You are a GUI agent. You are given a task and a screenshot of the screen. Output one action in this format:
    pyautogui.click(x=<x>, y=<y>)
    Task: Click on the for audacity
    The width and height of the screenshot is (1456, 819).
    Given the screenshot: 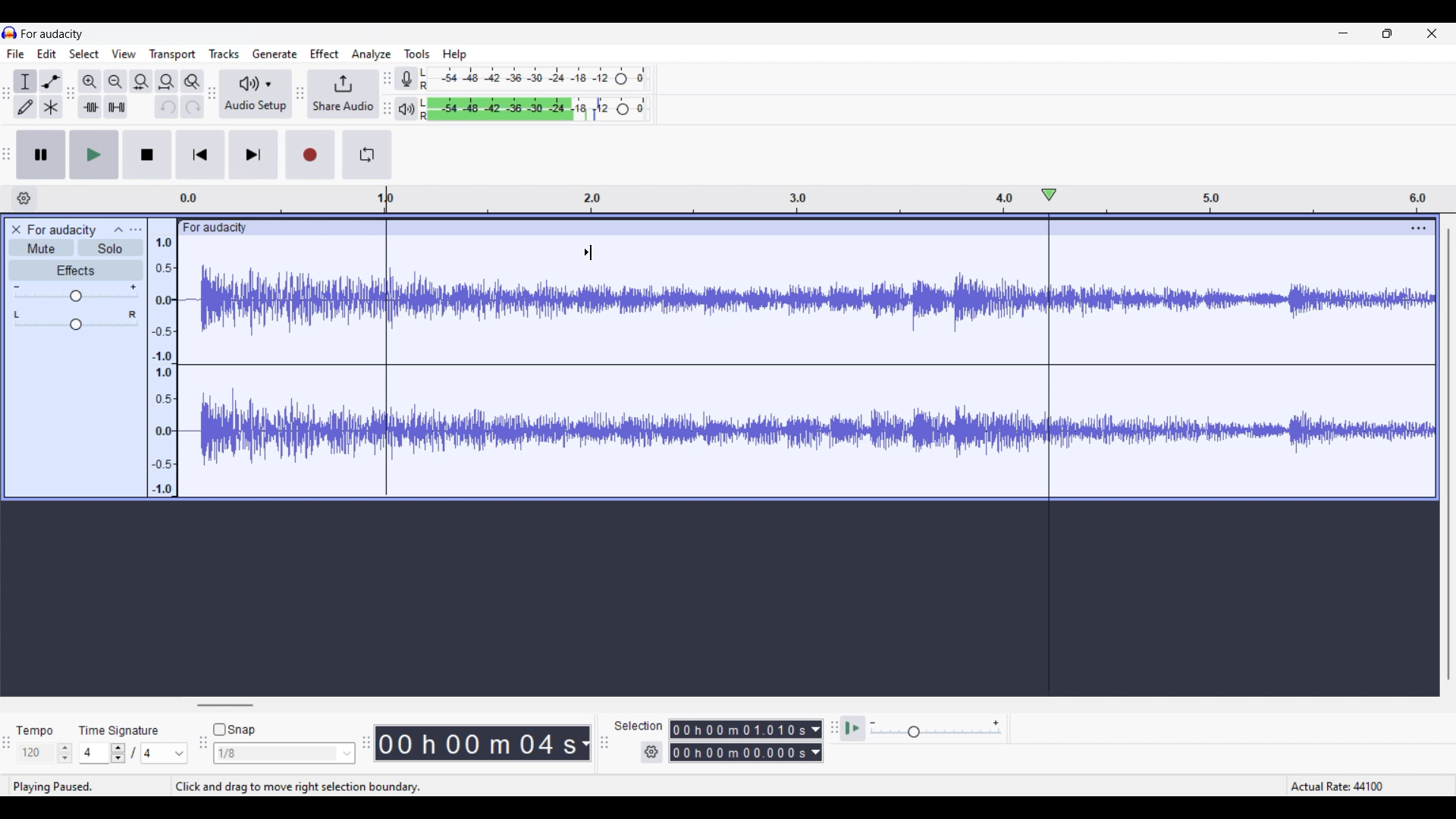 What is the action you would take?
    pyautogui.click(x=62, y=231)
    